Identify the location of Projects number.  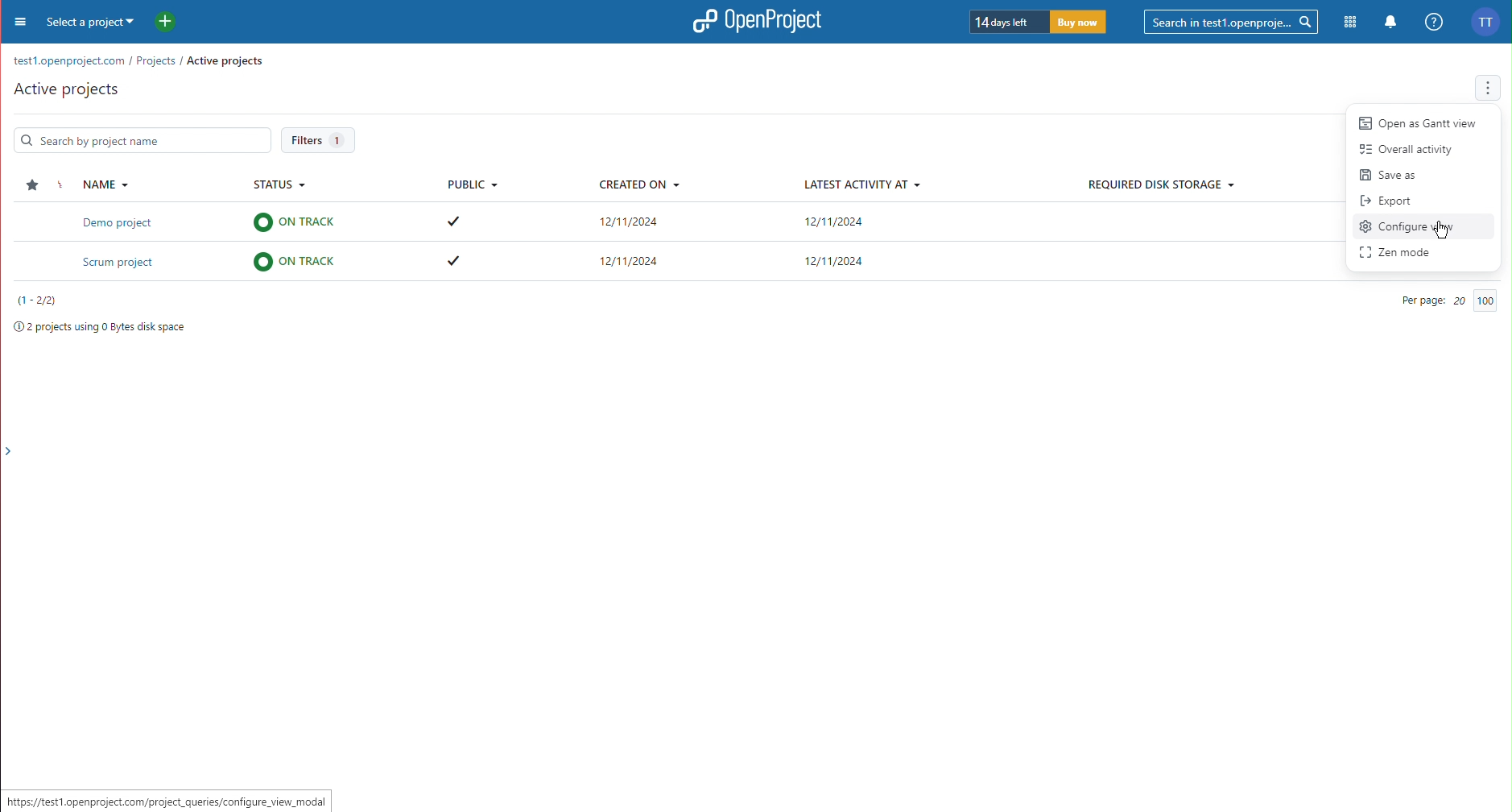
(40, 300).